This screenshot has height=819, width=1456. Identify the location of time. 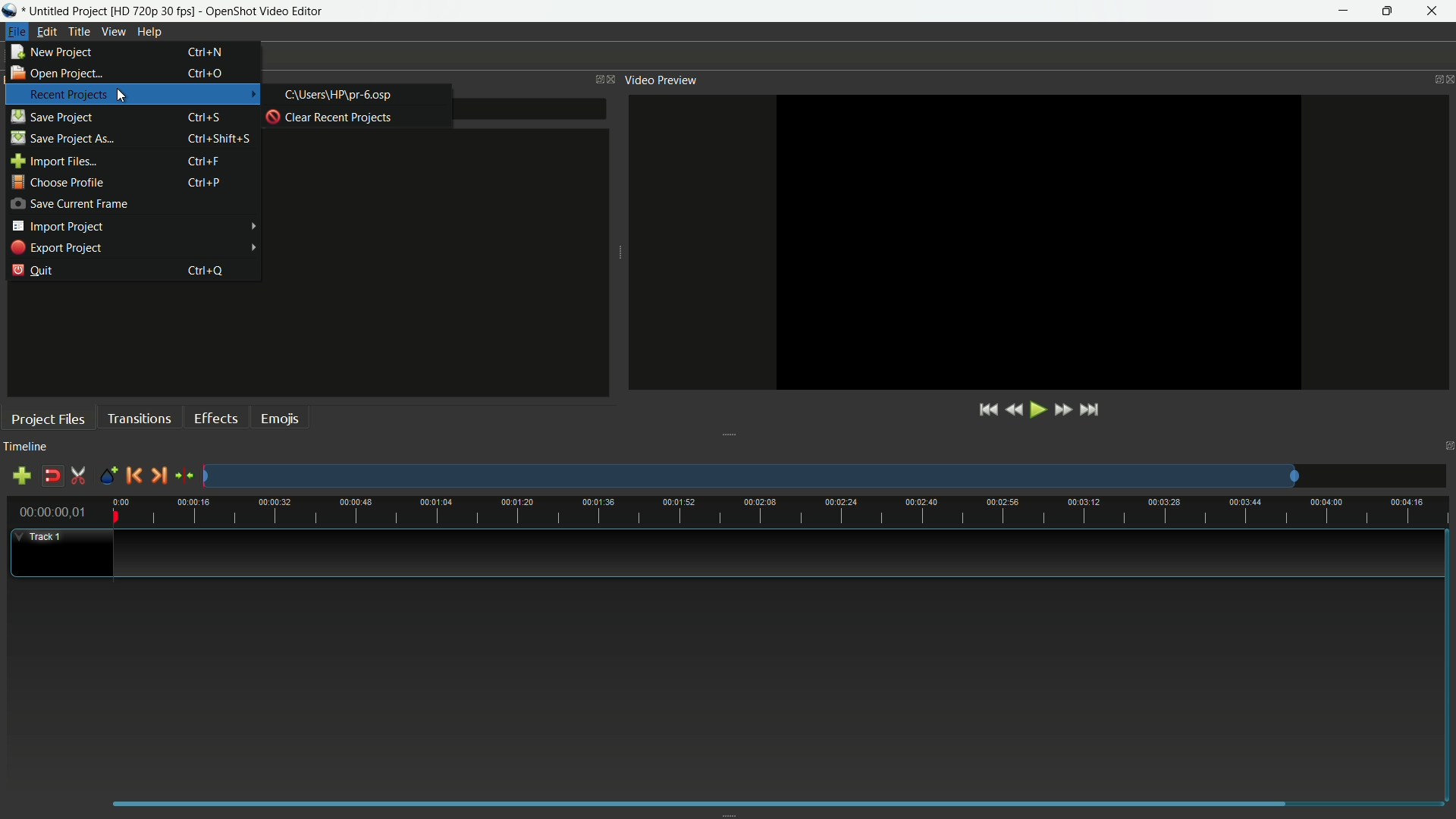
(781, 510).